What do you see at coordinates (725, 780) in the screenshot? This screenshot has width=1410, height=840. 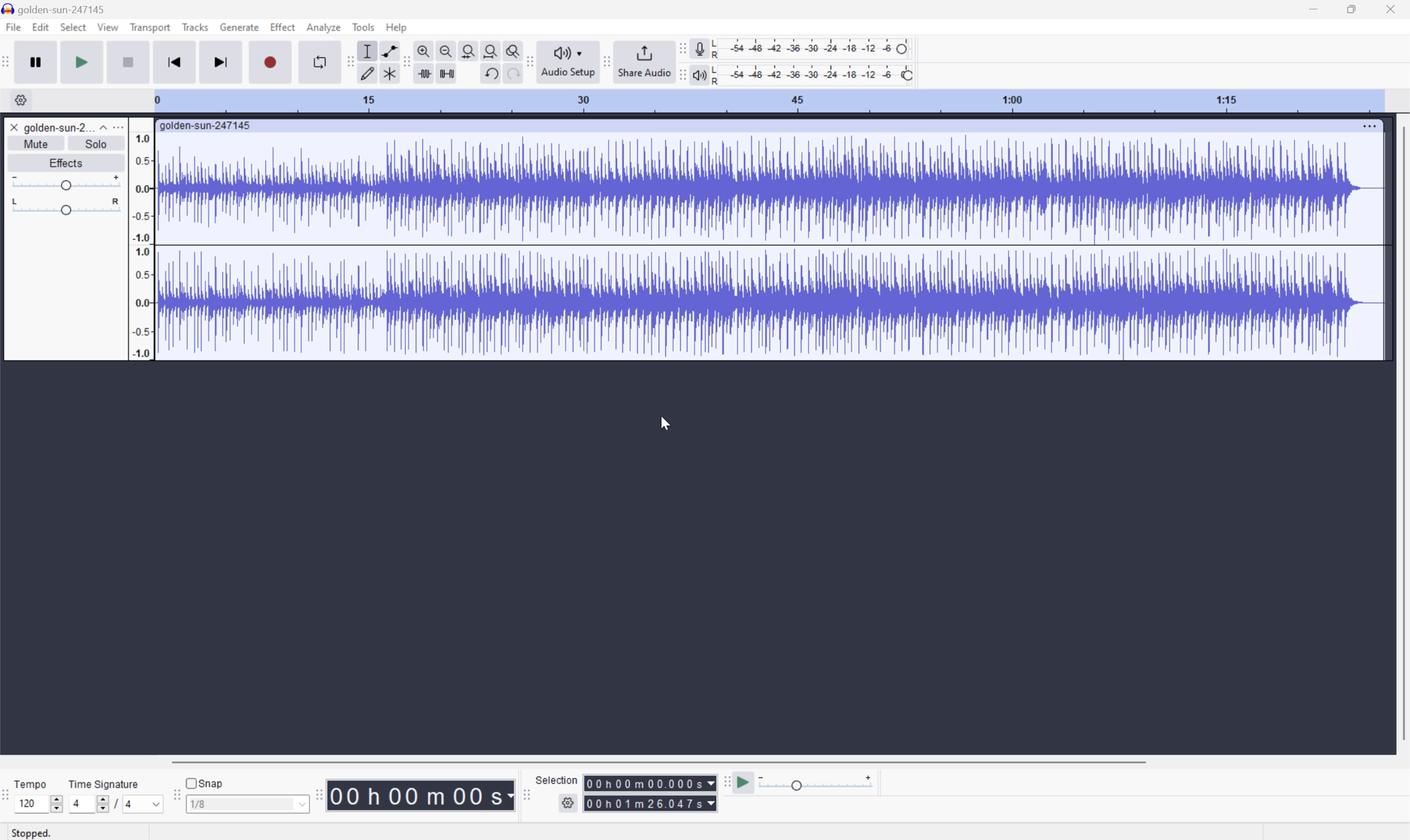 I see `Audacity play at speed toolbar` at bounding box center [725, 780].